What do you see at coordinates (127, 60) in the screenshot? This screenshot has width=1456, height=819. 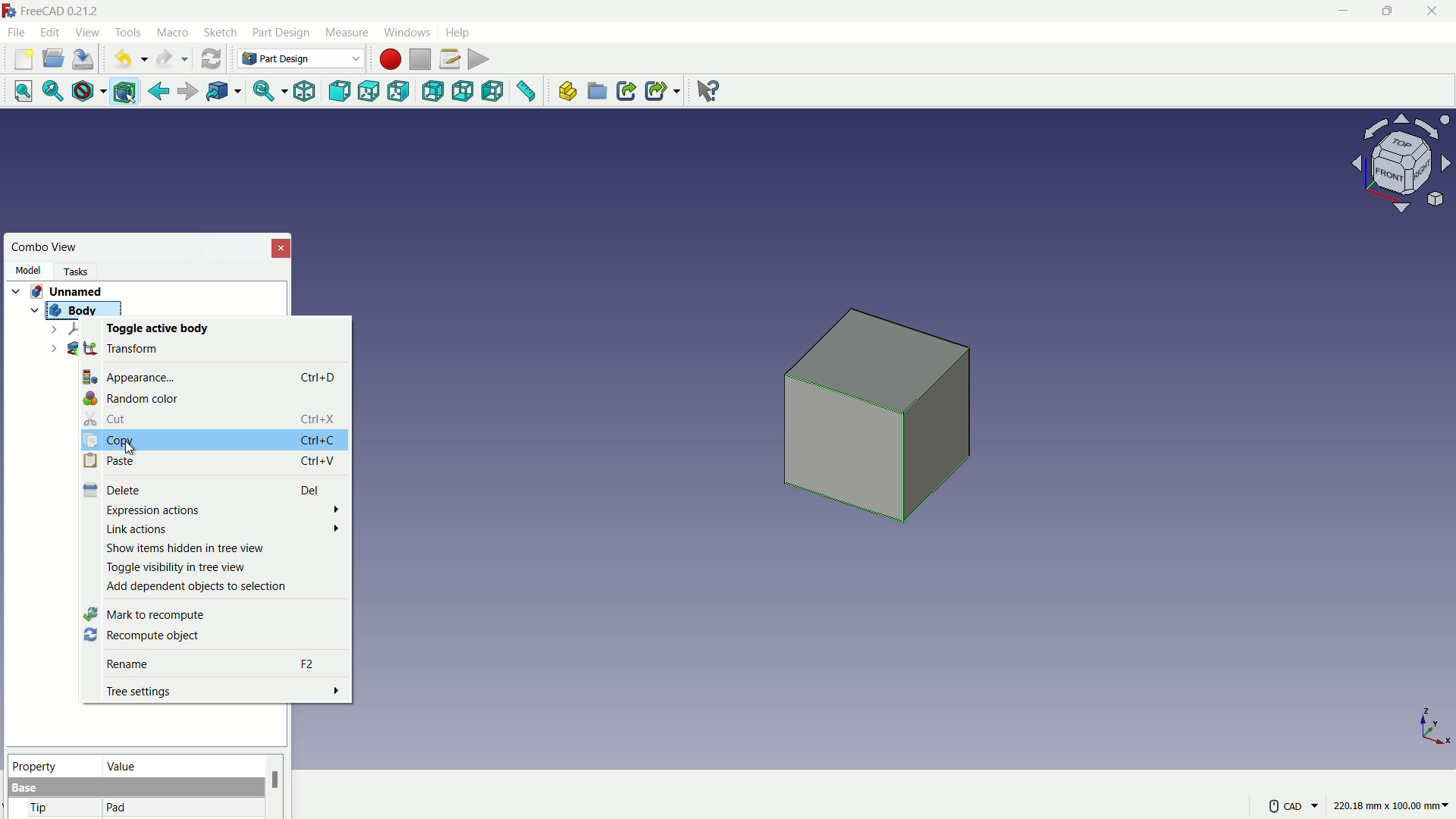 I see `undo` at bounding box center [127, 60].